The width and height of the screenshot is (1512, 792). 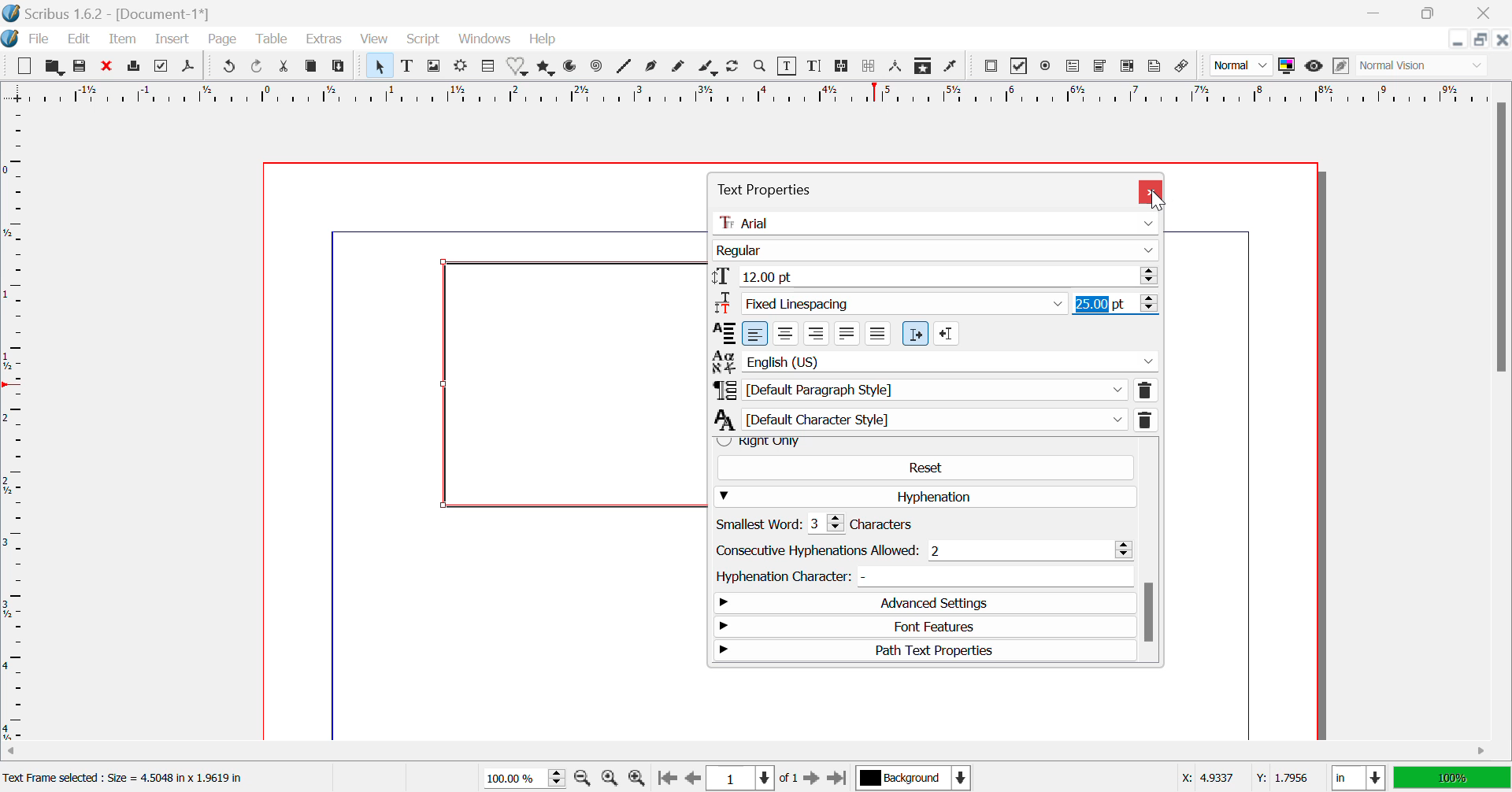 I want to click on Path Text Properties, so click(x=926, y=650).